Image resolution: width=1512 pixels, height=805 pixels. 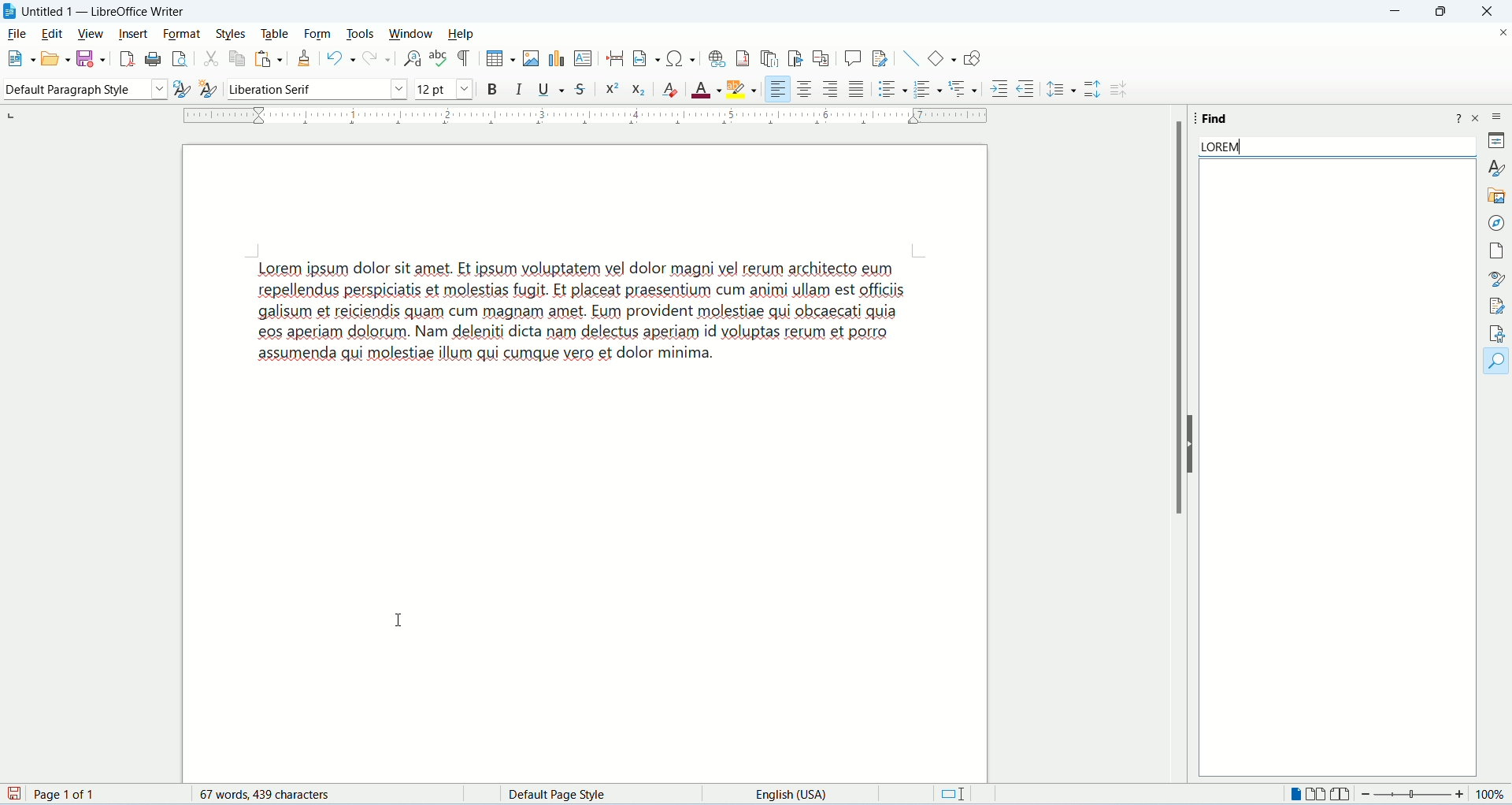 I want to click on insert hyperlink, so click(x=715, y=61).